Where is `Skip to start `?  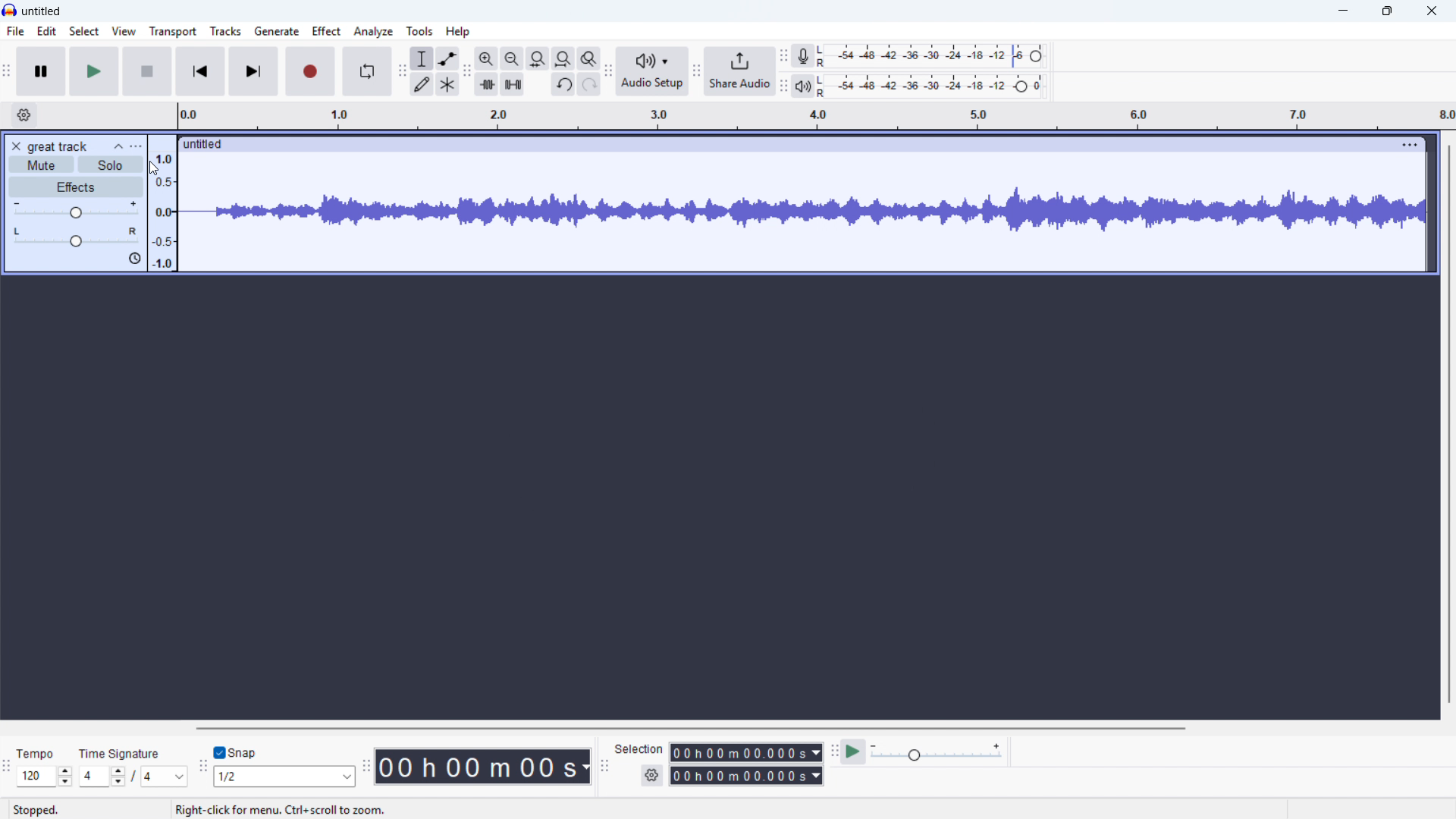
Skip to start  is located at coordinates (199, 72).